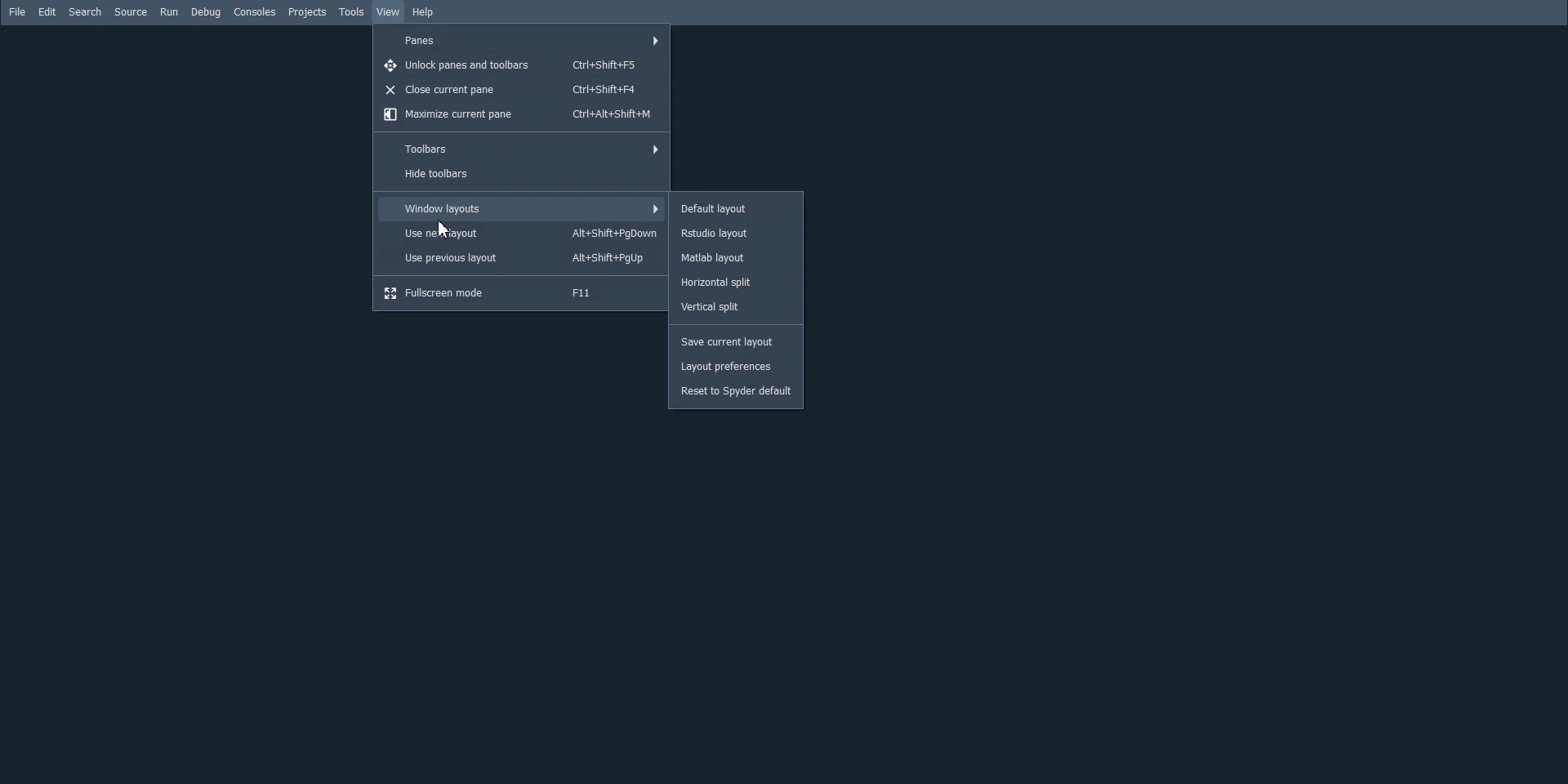  What do you see at coordinates (735, 283) in the screenshot?
I see `Horizontal split` at bounding box center [735, 283].